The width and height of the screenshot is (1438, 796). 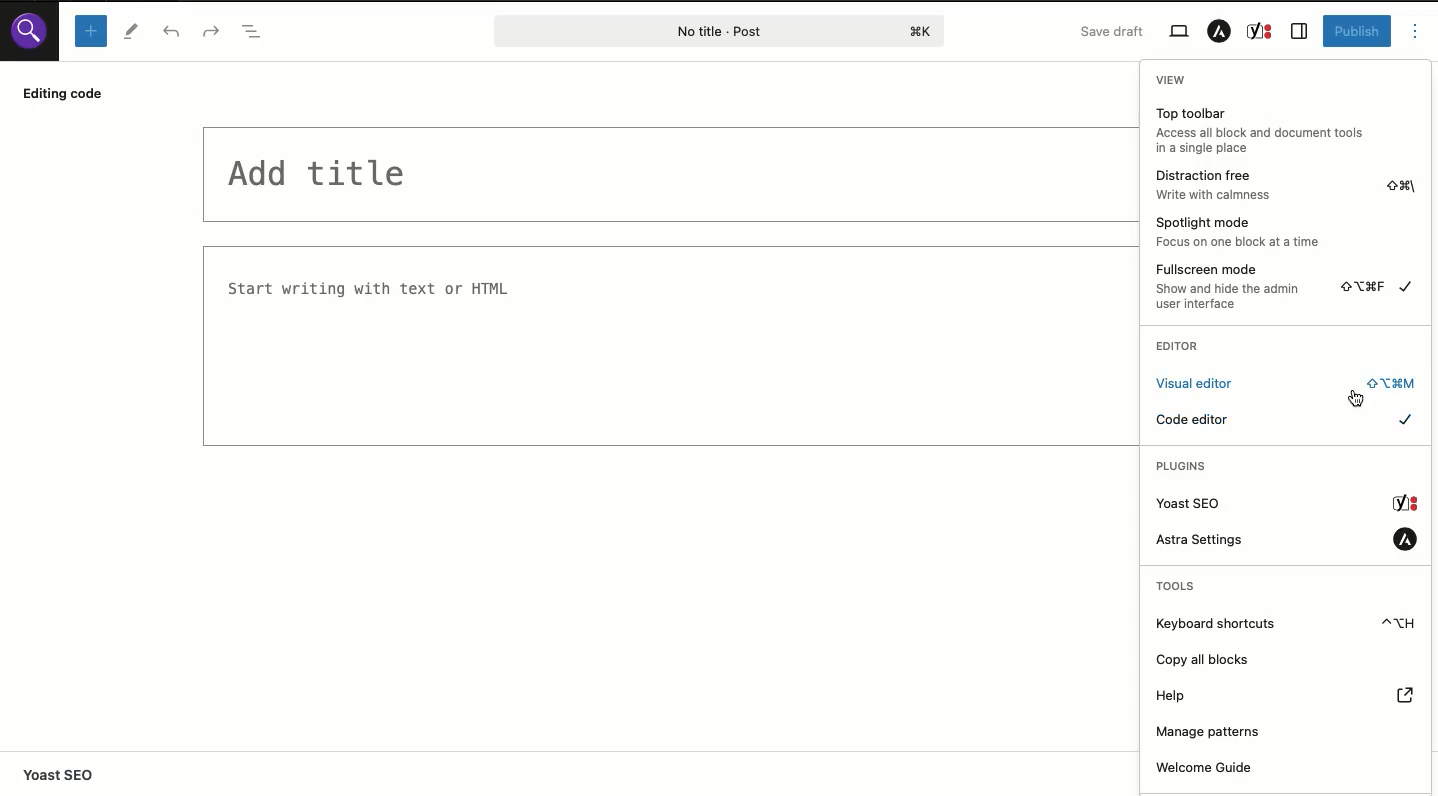 What do you see at coordinates (1211, 768) in the screenshot?
I see `Welcome guide` at bounding box center [1211, 768].